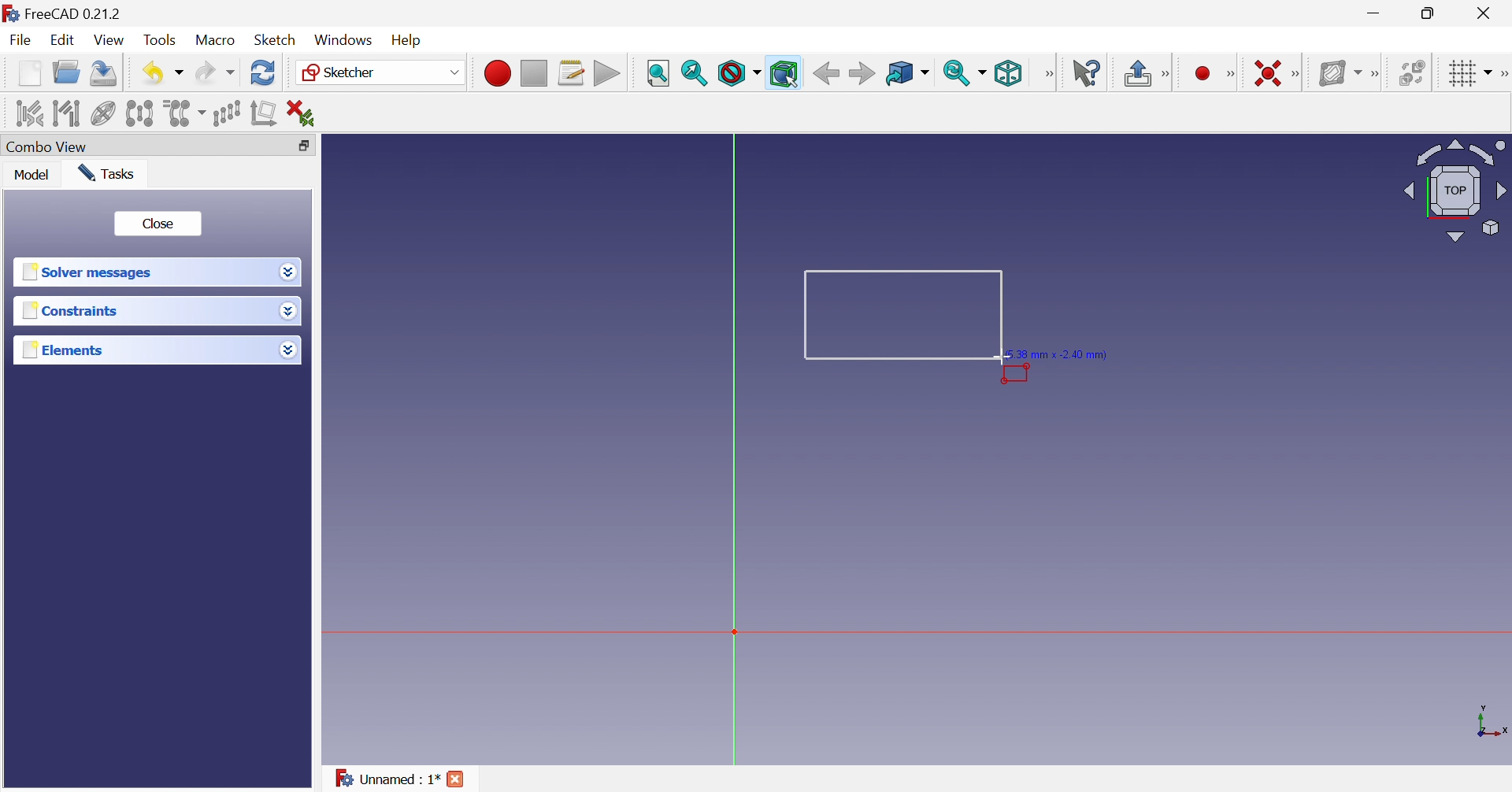 This screenshot has width=1512, height=792. I want to click on Minimize, so click(1379, 12).